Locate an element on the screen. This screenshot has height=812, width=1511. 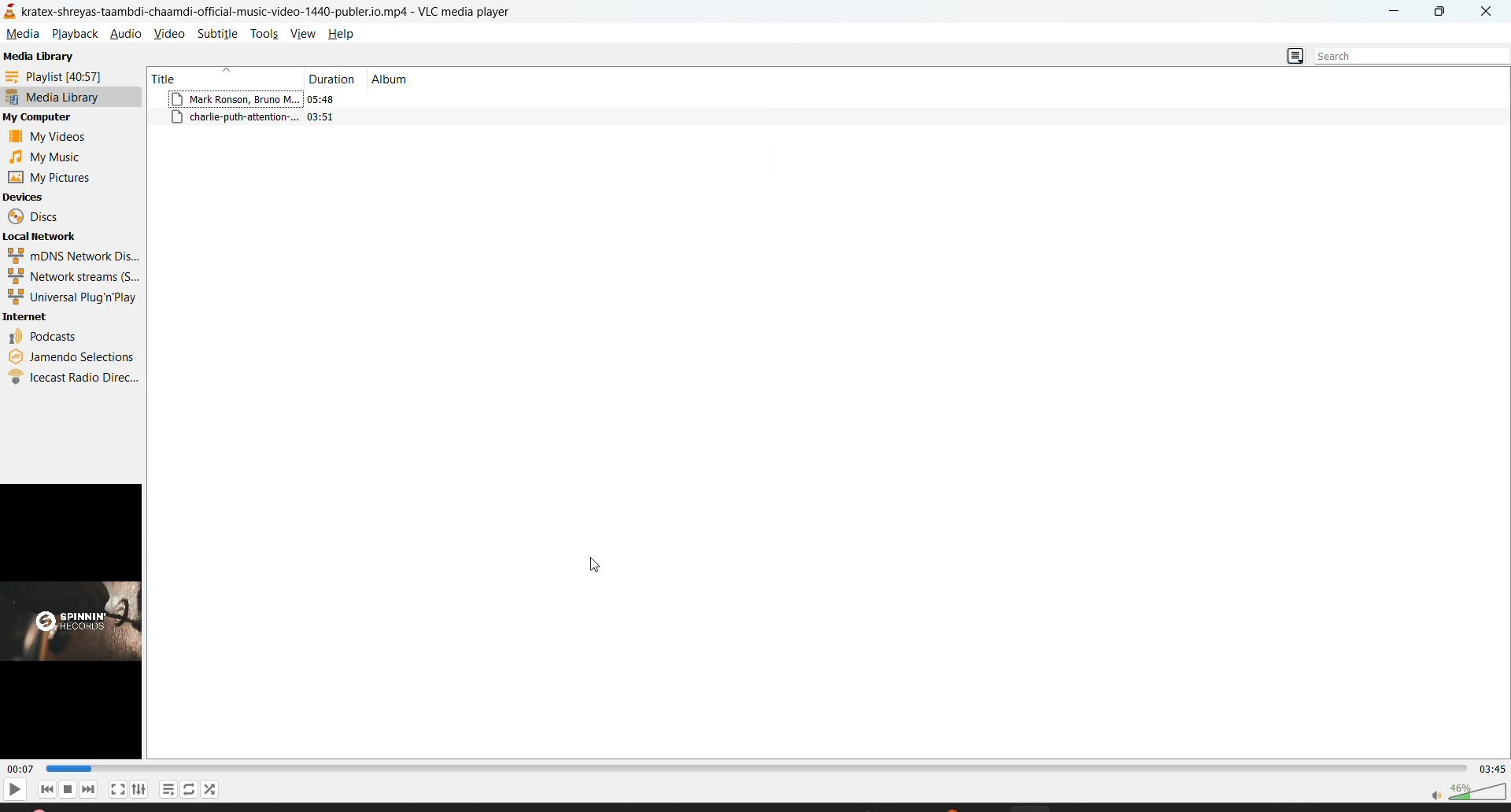
media library is located at coordinates (55, 97).